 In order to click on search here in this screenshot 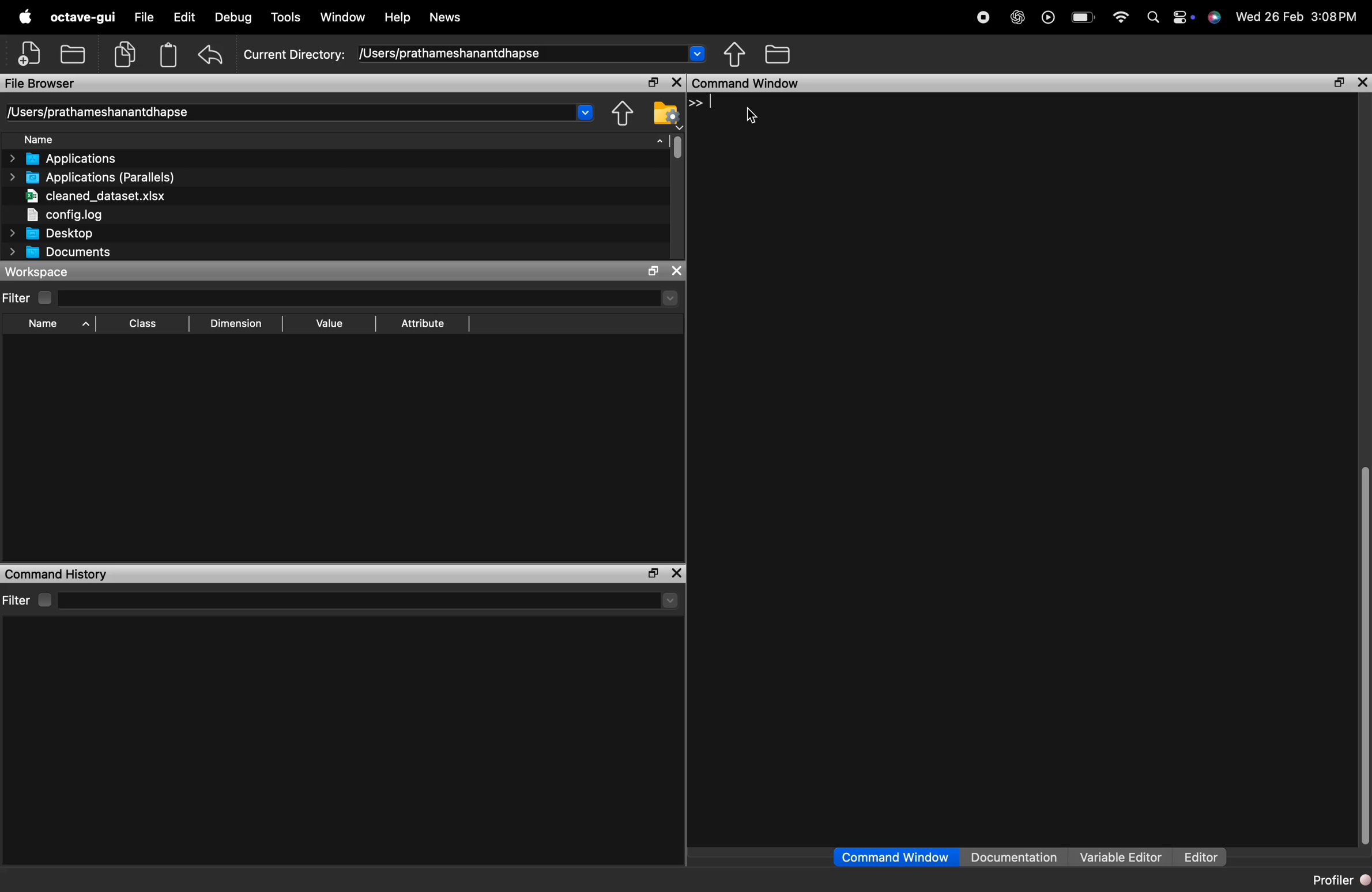, I will do `click(371, 298)`.